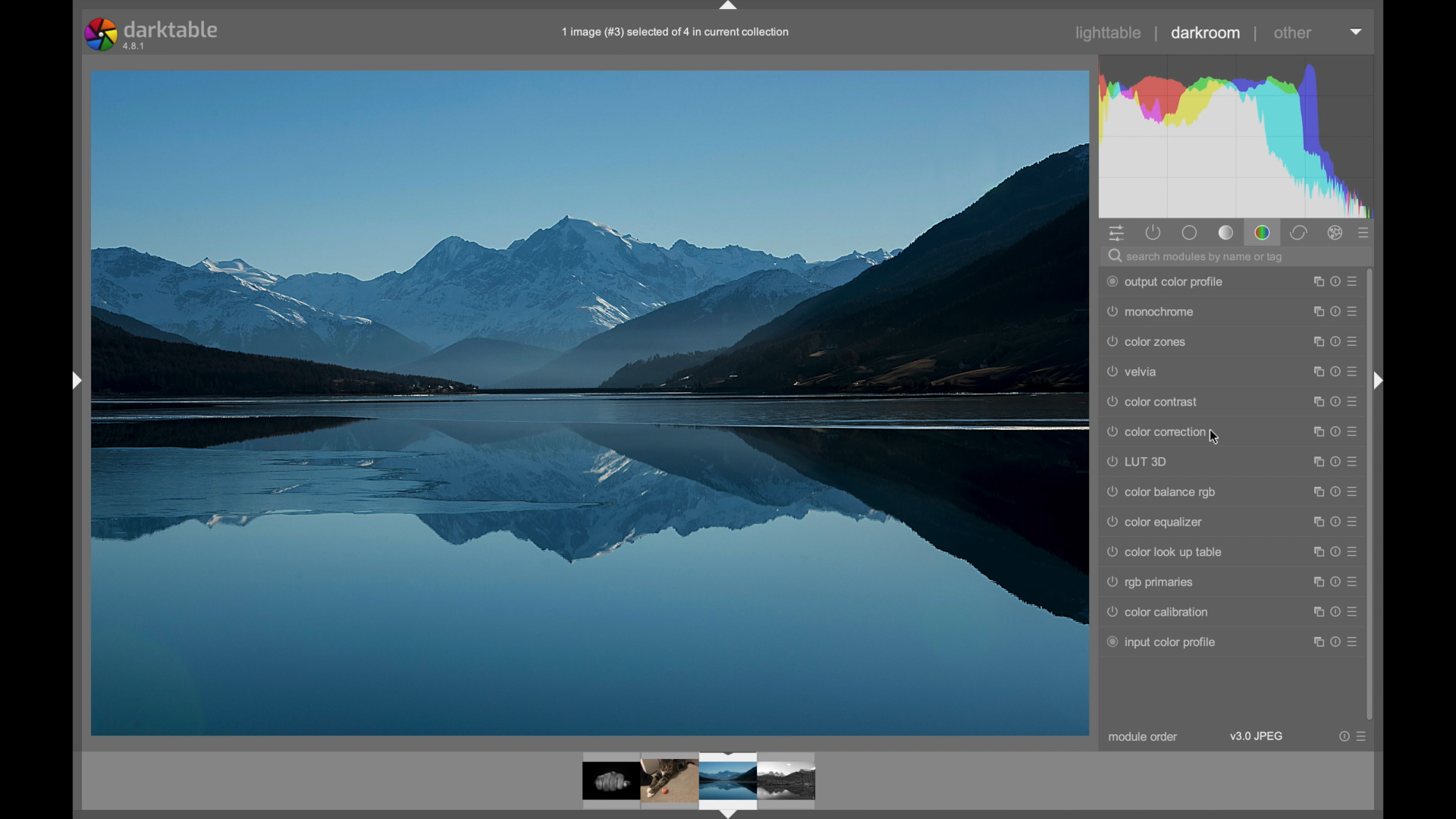  I want to click on photo preview, so click(604, 777).